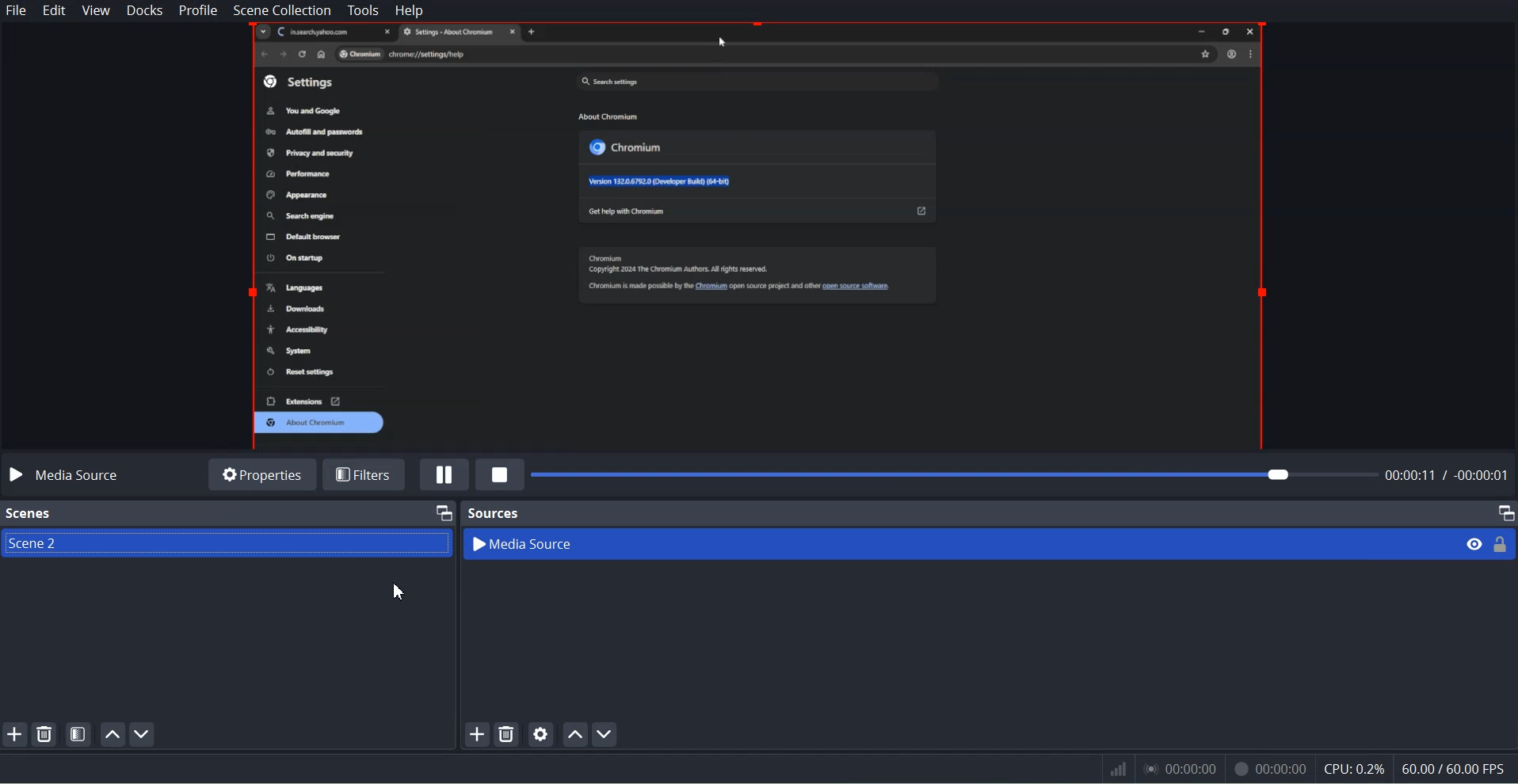  Describe the element at coordinates (96, 11) in the screenshot. I see `View` at that location.